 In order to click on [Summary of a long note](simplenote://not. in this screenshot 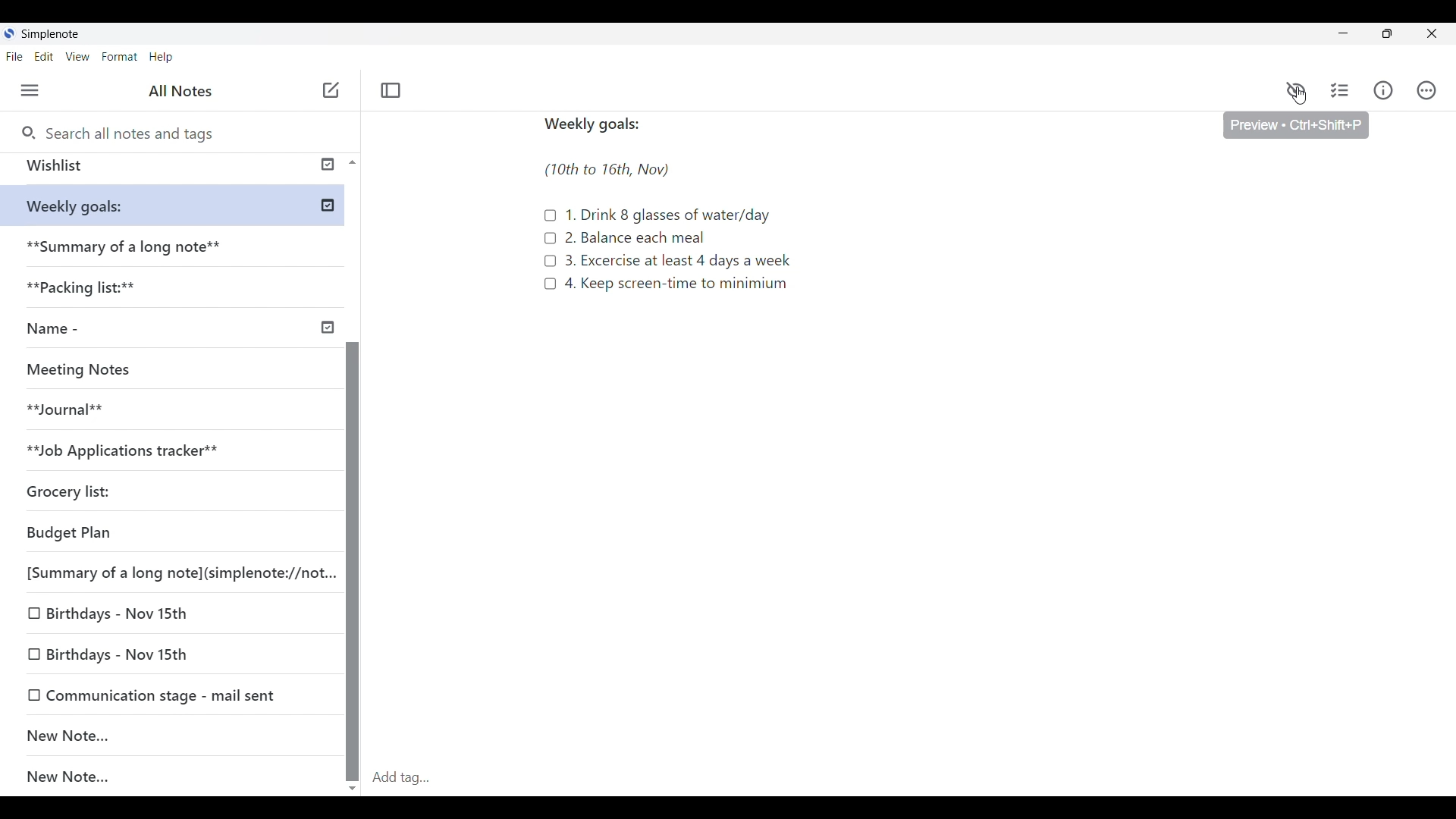, I will do `click(171, 572)`.